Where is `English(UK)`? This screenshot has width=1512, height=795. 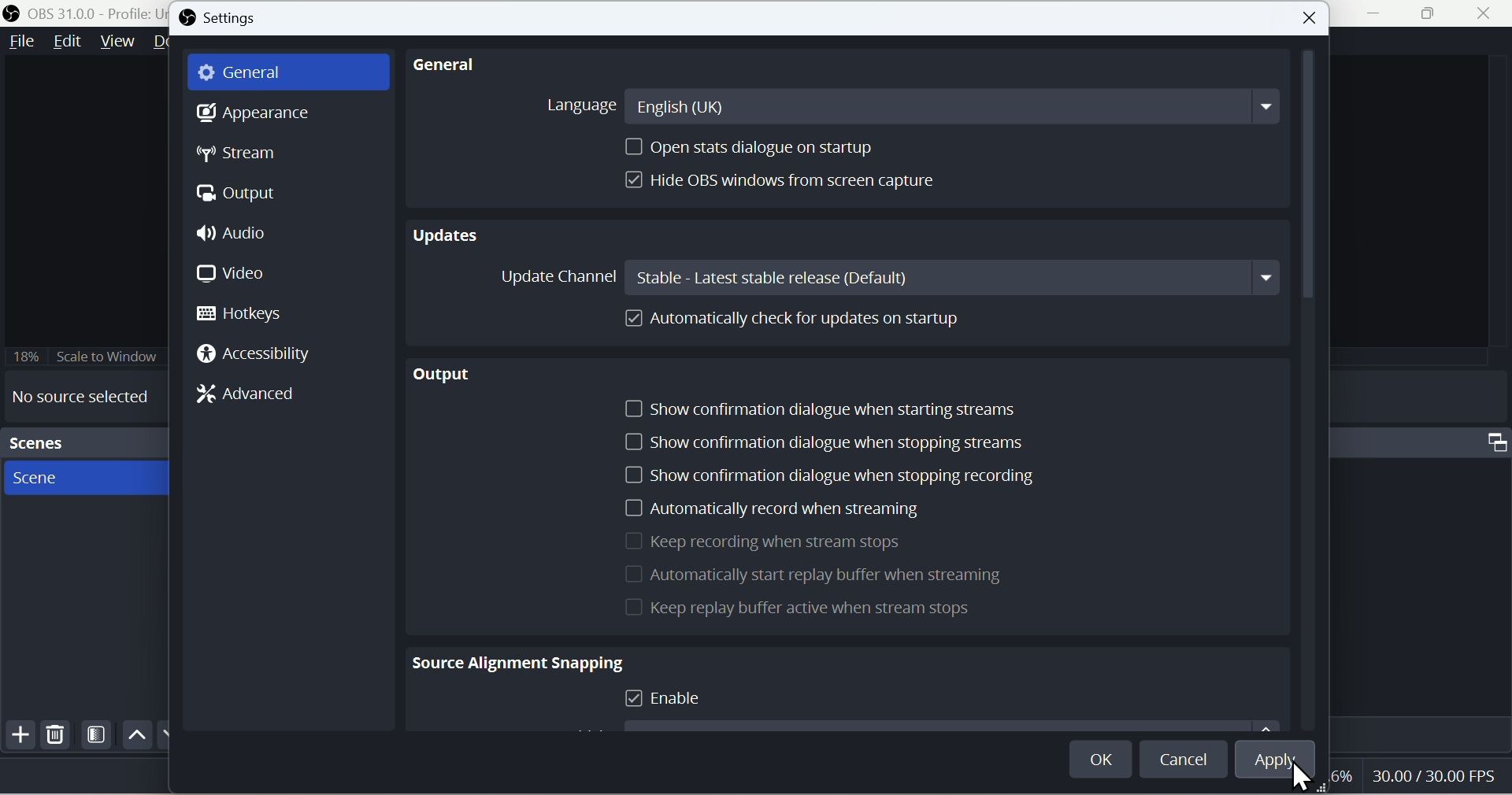 English(UK) is located at coordinates (956, 105).